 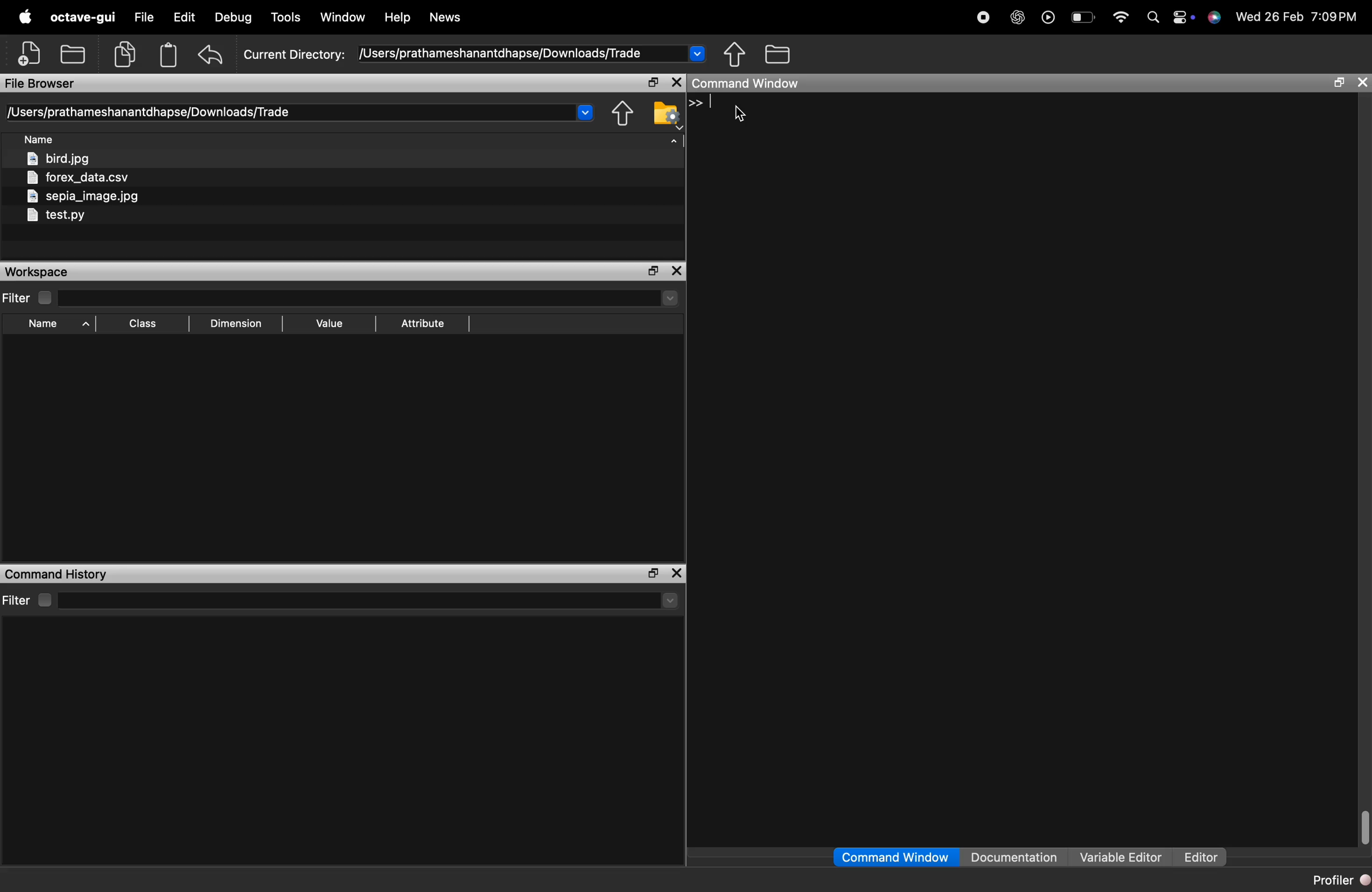 What do you see at coordinates (1017, 18) in the screenshot?
I see `chatgpt` at bounding box center [1017, 18].